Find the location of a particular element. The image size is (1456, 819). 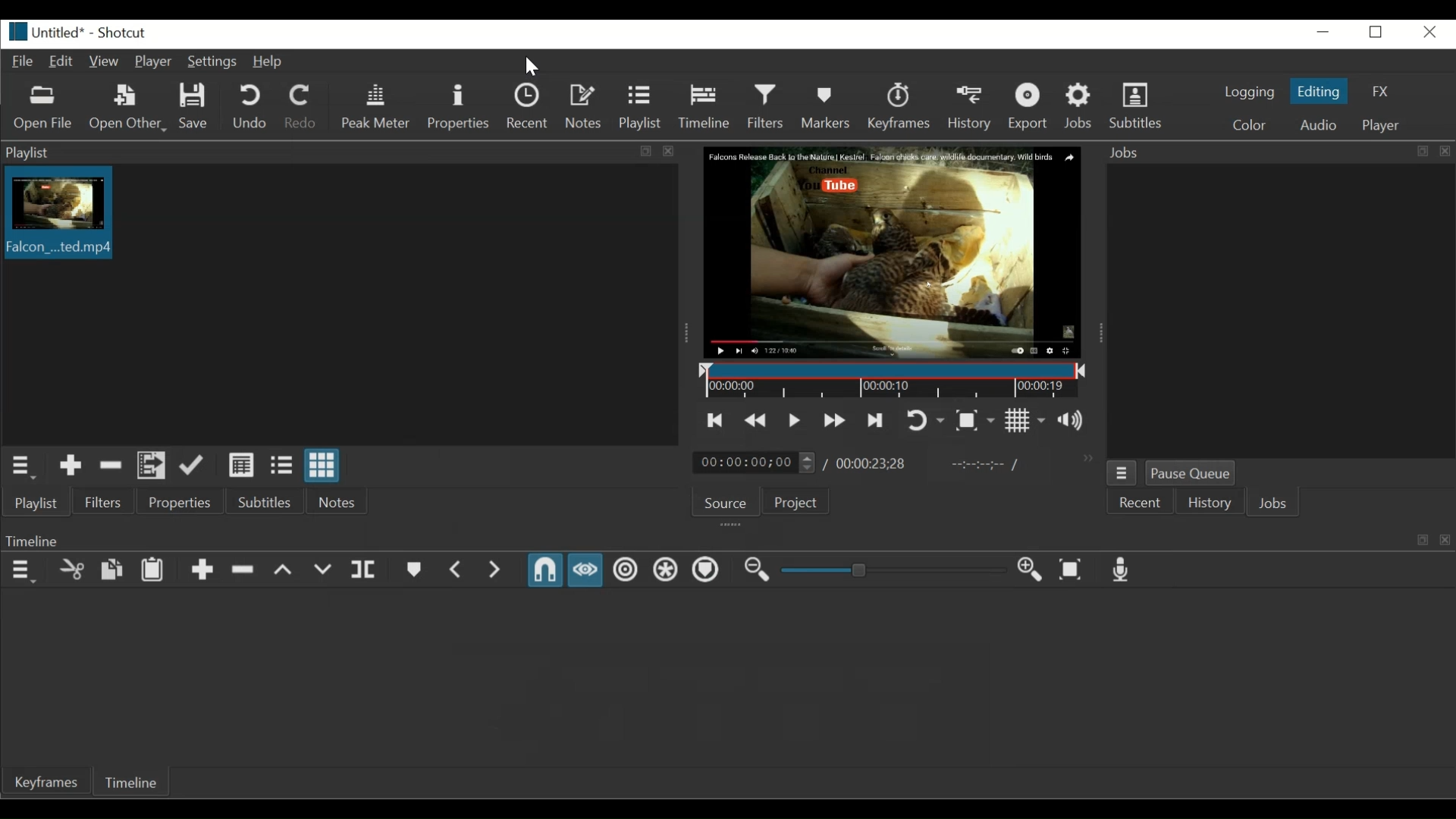

Playlist is located at coordinates (641, 108).